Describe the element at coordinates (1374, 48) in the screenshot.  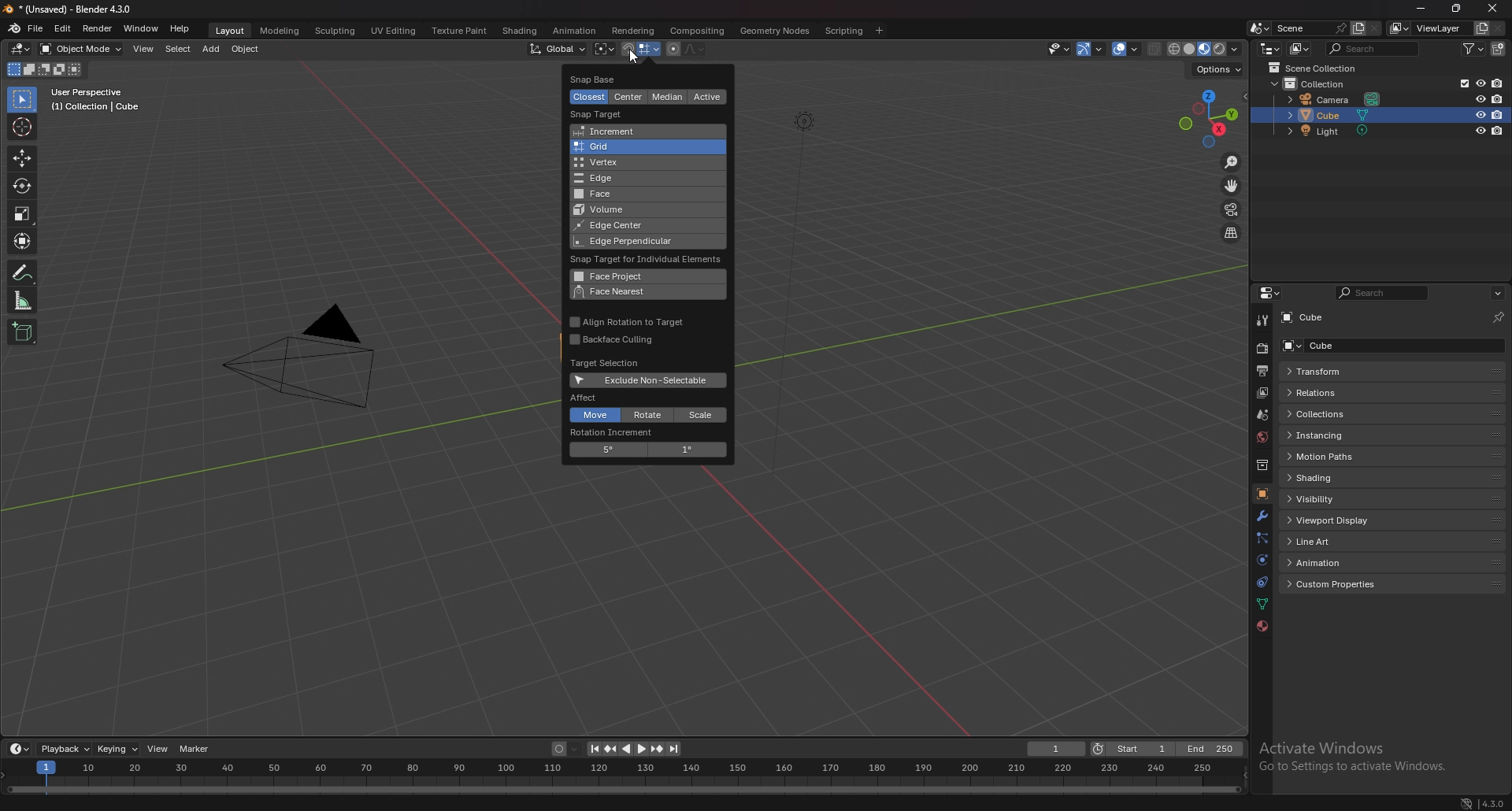
I see `search` at that location.